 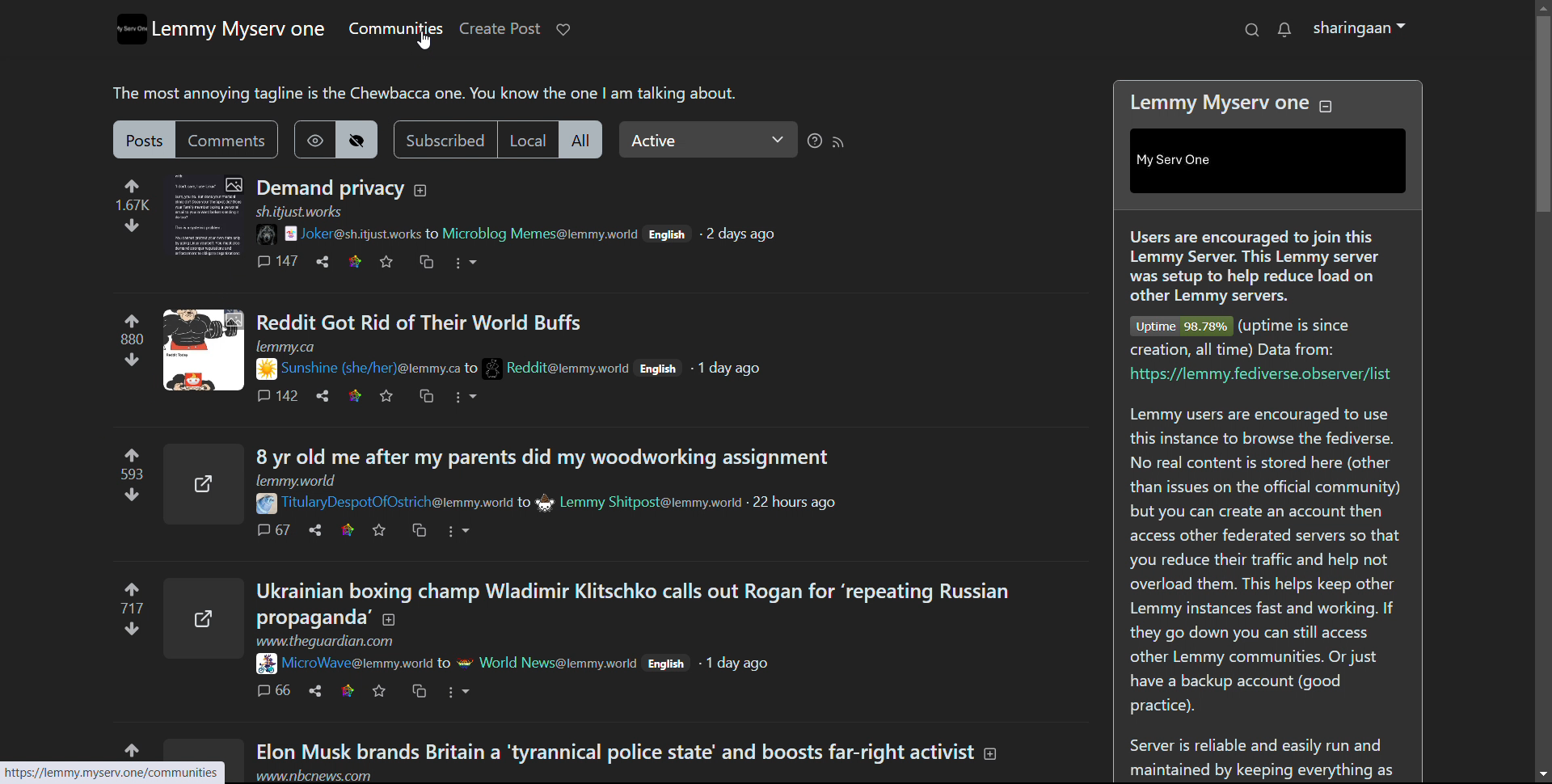 What do you see at coordinates (132, 633) in the screenshot?
I see `downvote` at bounding box center [132, 633].